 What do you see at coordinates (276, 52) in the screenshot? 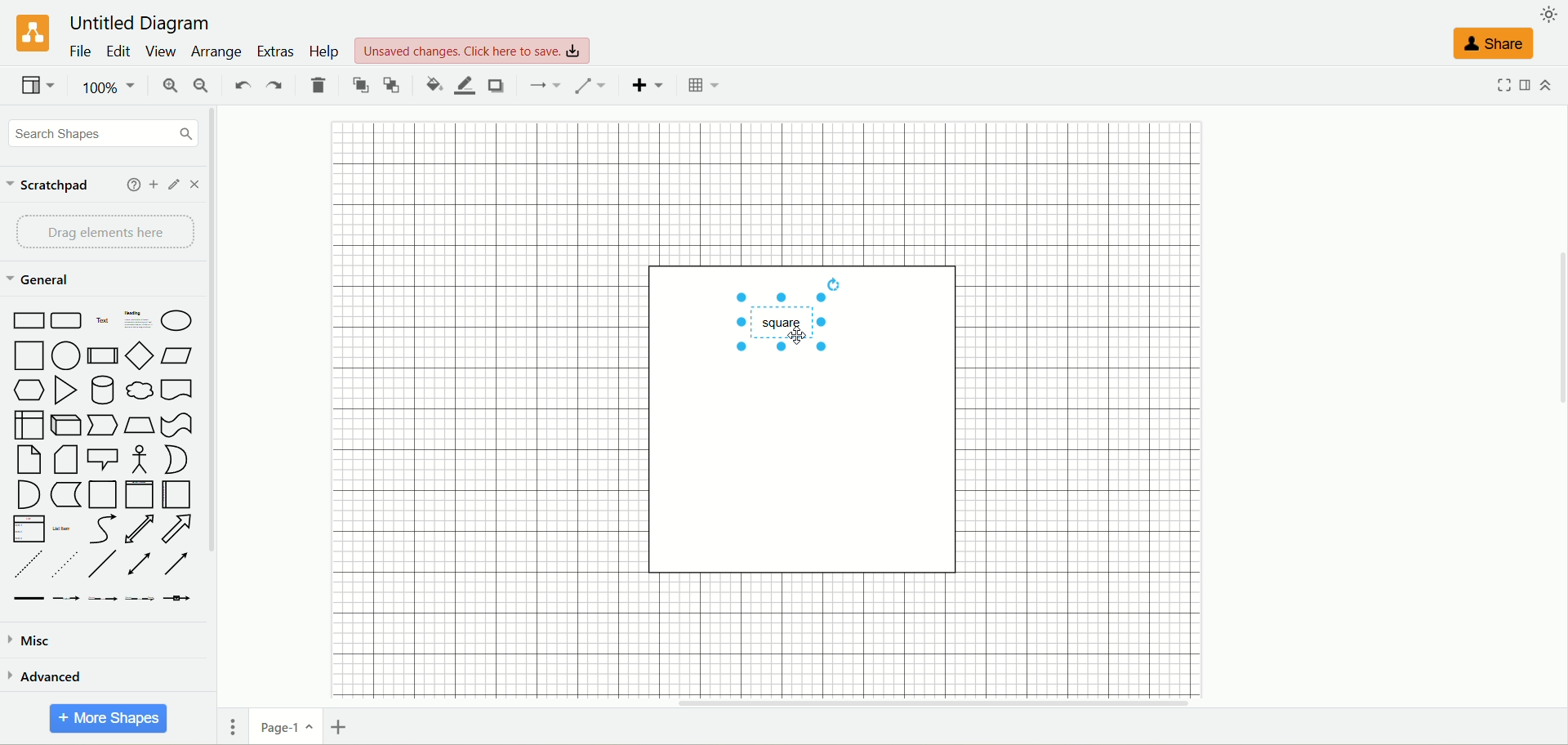
I see `extras` at bounding box center [276, 52].